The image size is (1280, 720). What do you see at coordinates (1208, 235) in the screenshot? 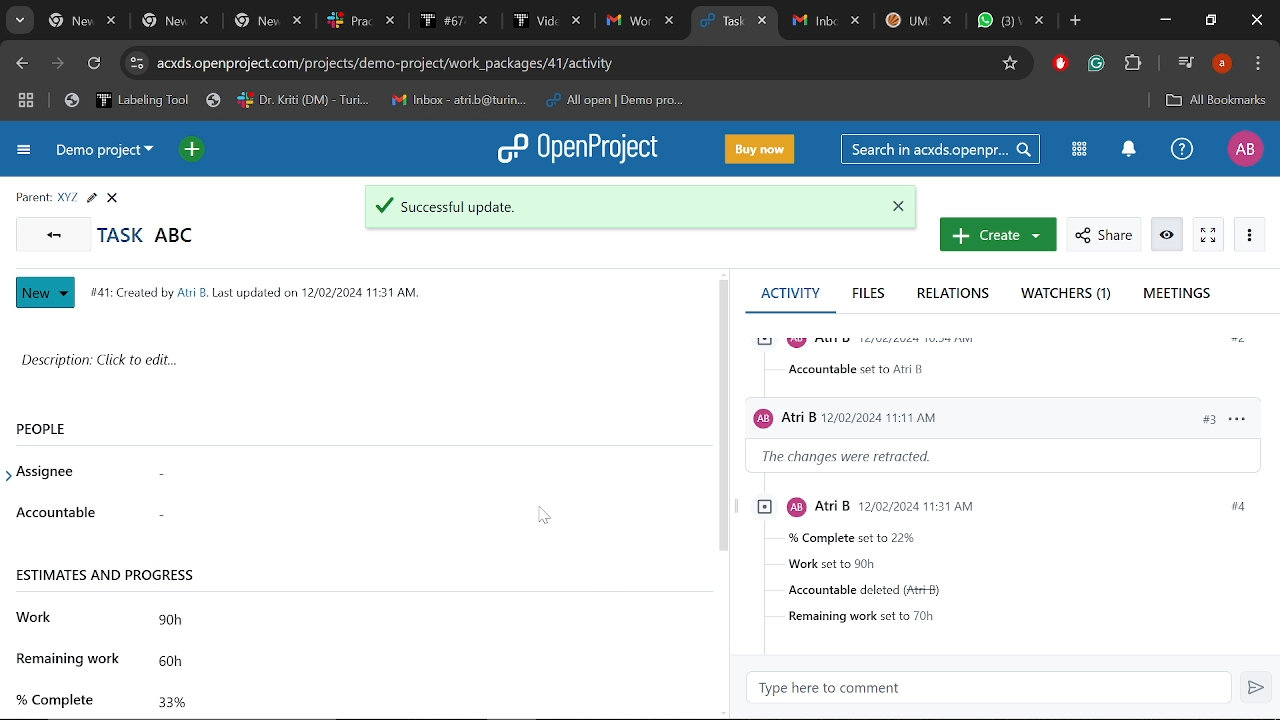
I see `Activate zen mode` at bounding box center [1208, 235].